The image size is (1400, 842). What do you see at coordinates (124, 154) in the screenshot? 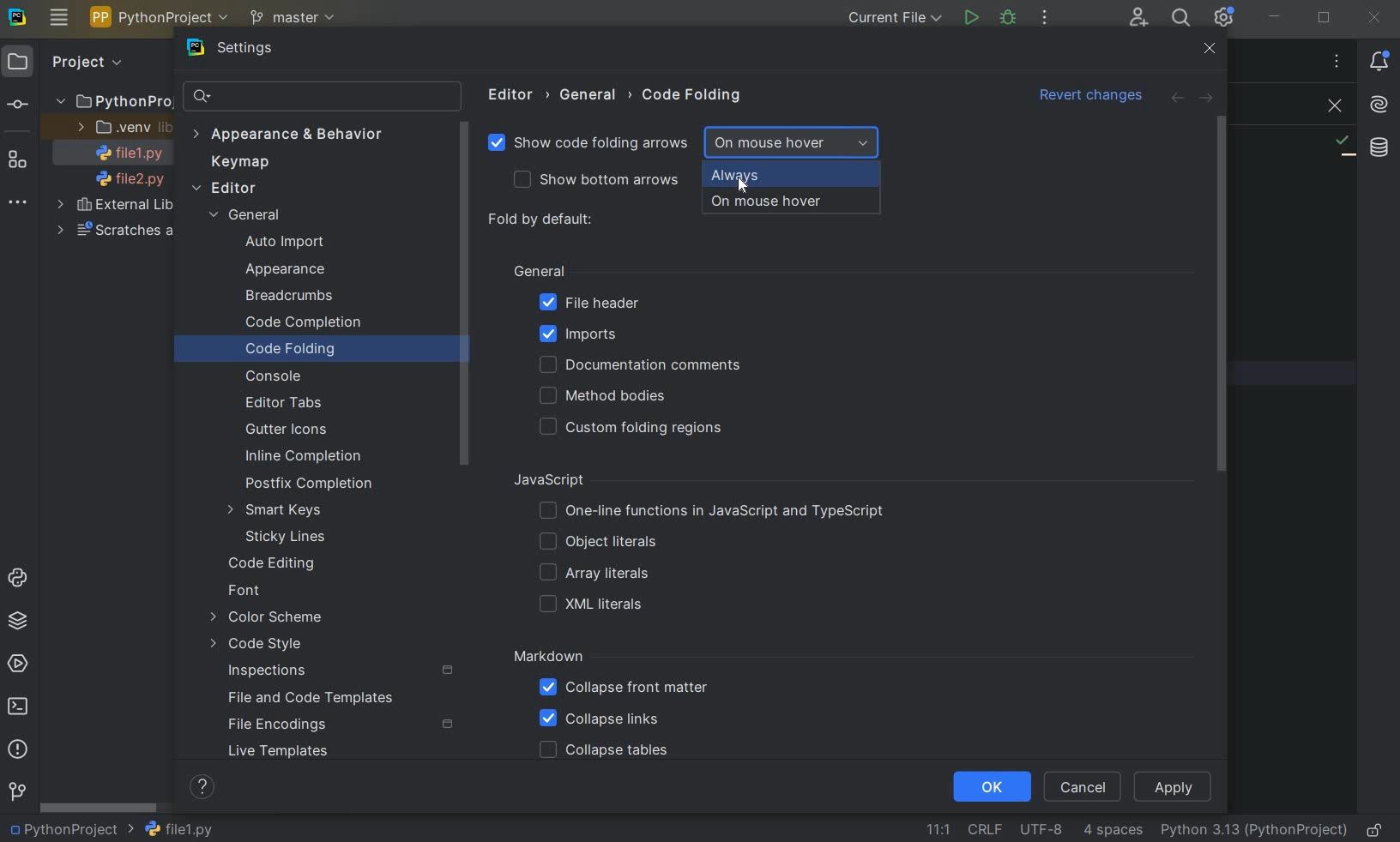
I see `FILE NAME 1` at bounding box center [124, 154].